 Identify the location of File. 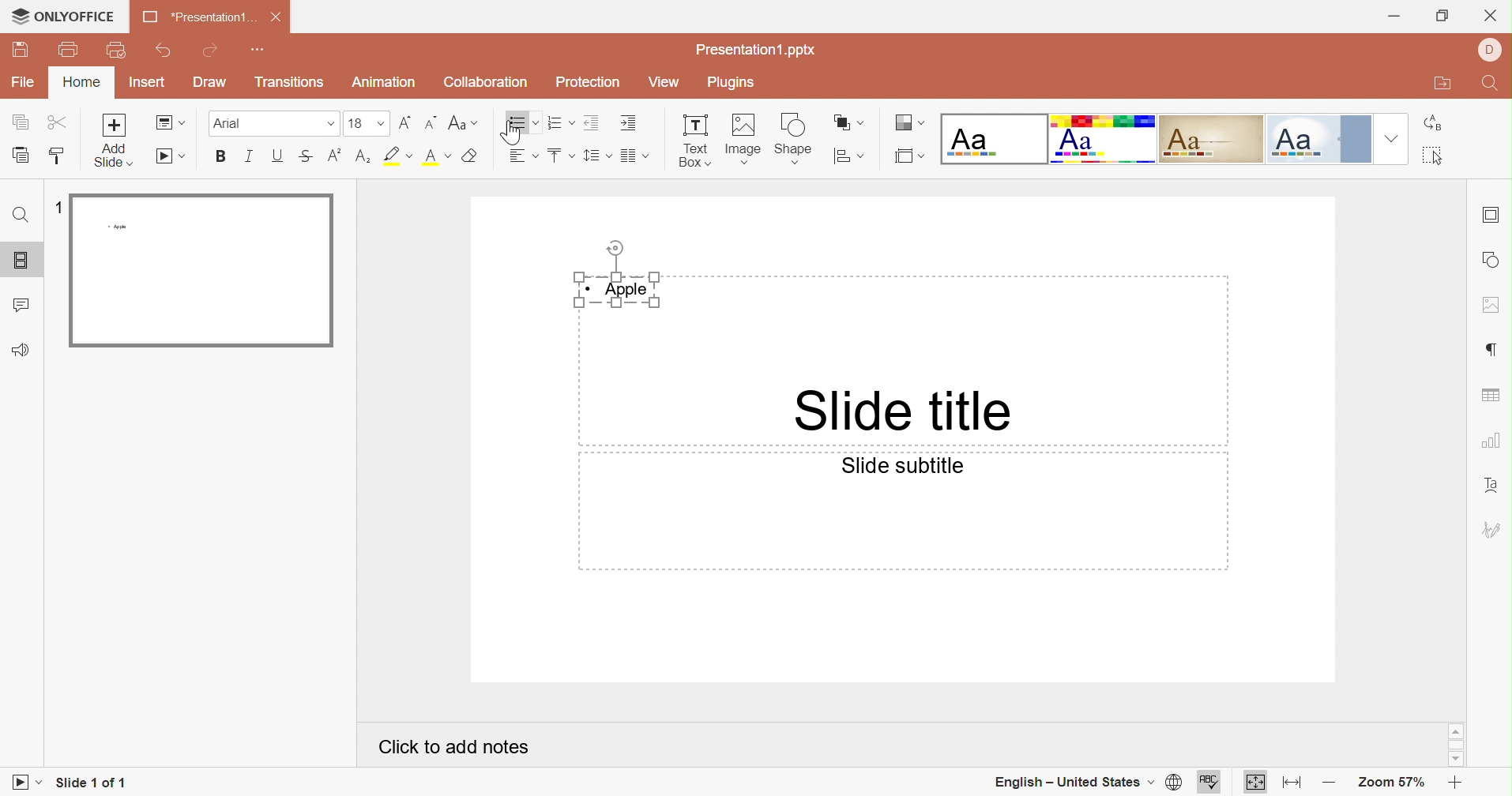
(25, 84).